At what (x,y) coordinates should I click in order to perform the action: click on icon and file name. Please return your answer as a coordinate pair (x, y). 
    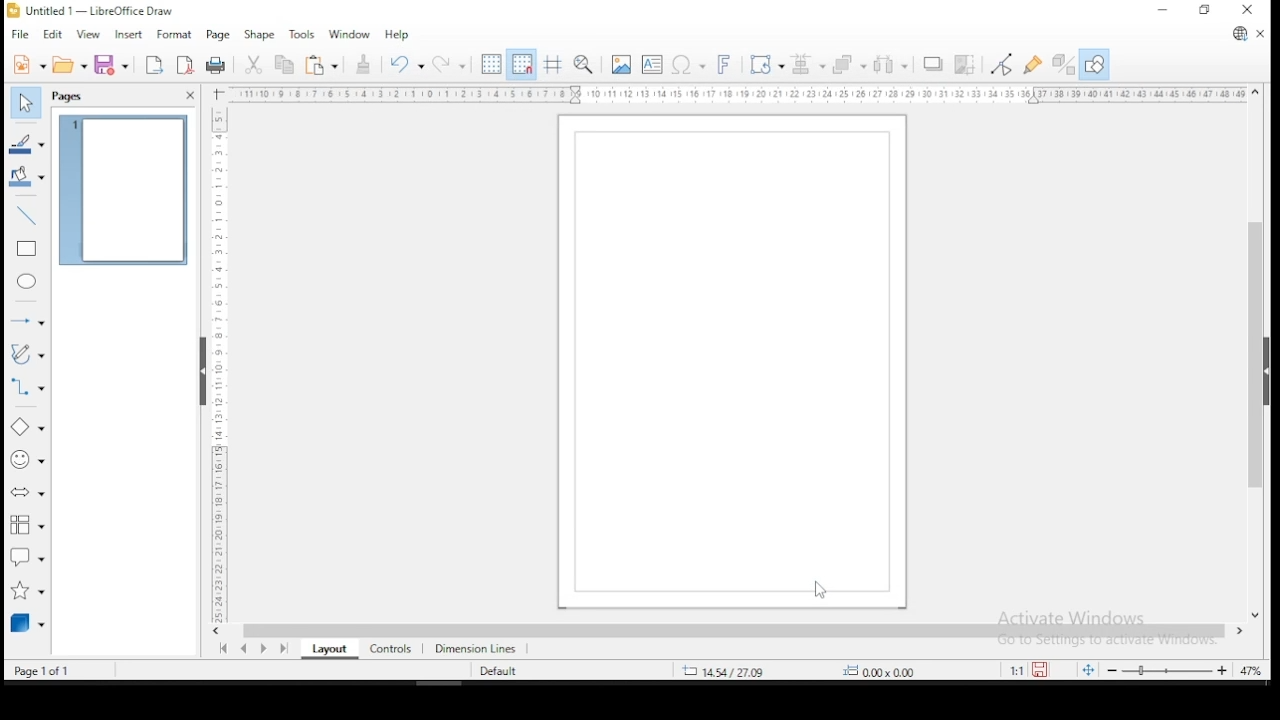
    Looking at the image, I should click on (102, 10).